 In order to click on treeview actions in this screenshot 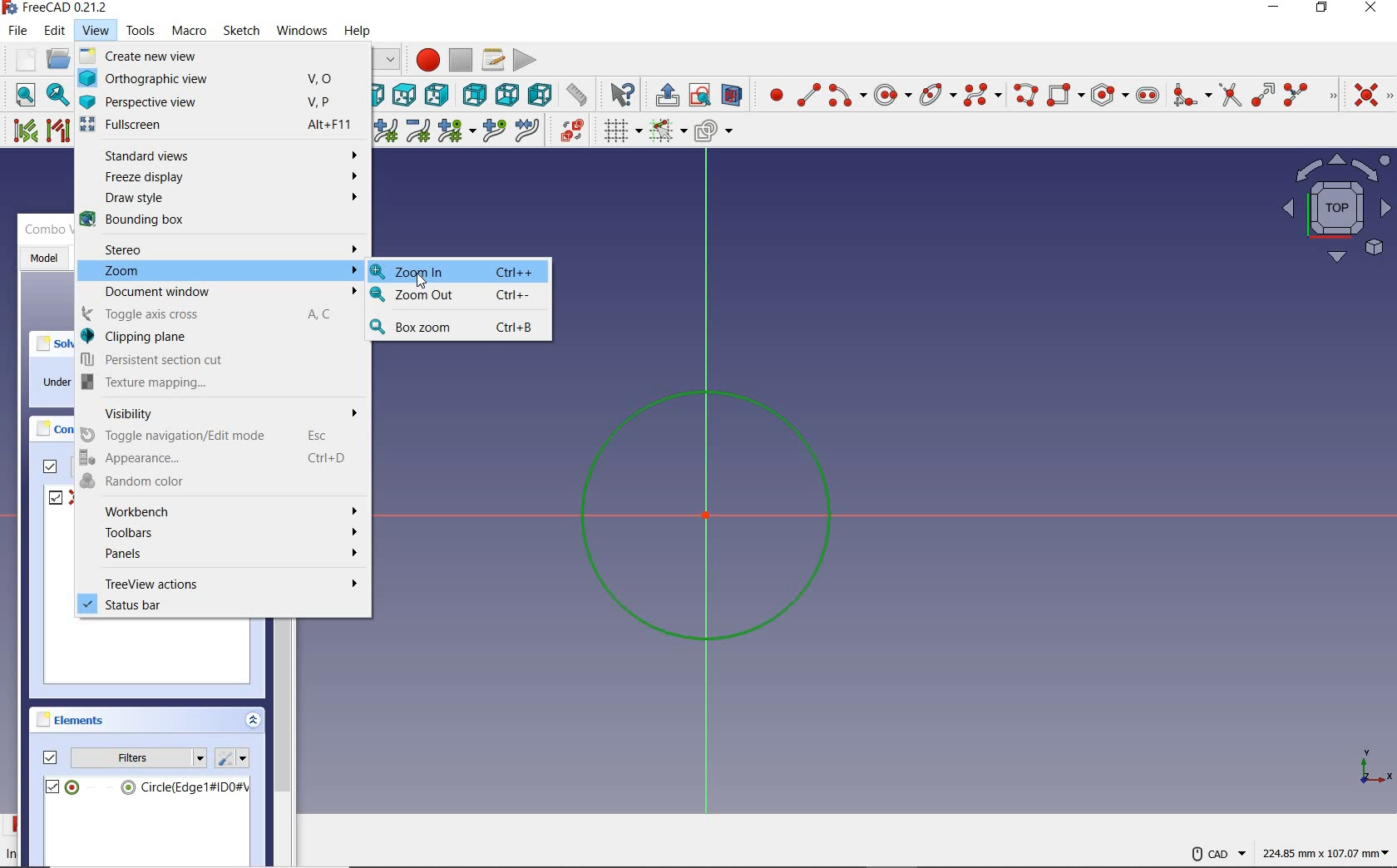, I will do `click(222, 579)`.